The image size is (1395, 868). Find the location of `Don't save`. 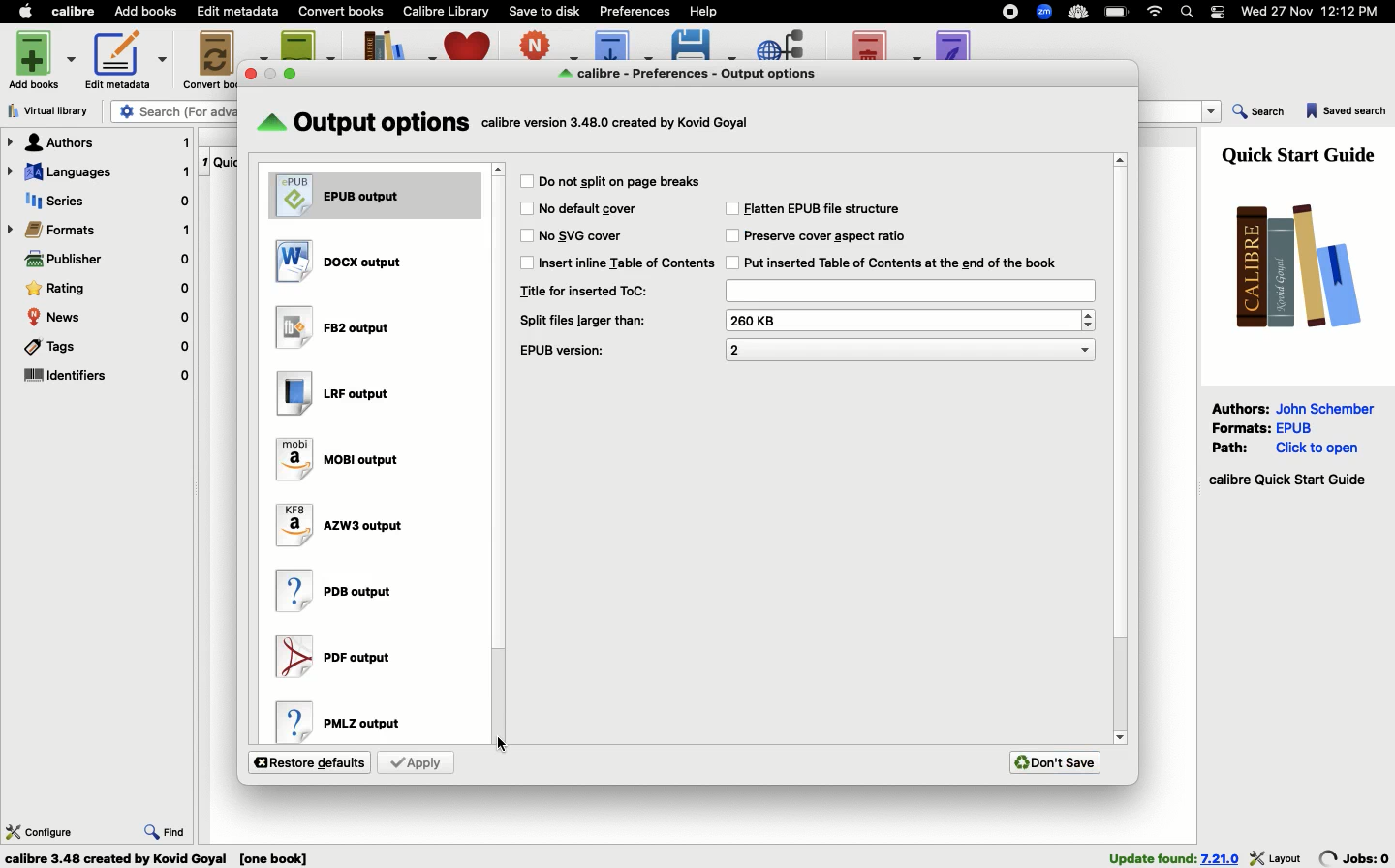

Don't save is located at coordinates (1055, 762).